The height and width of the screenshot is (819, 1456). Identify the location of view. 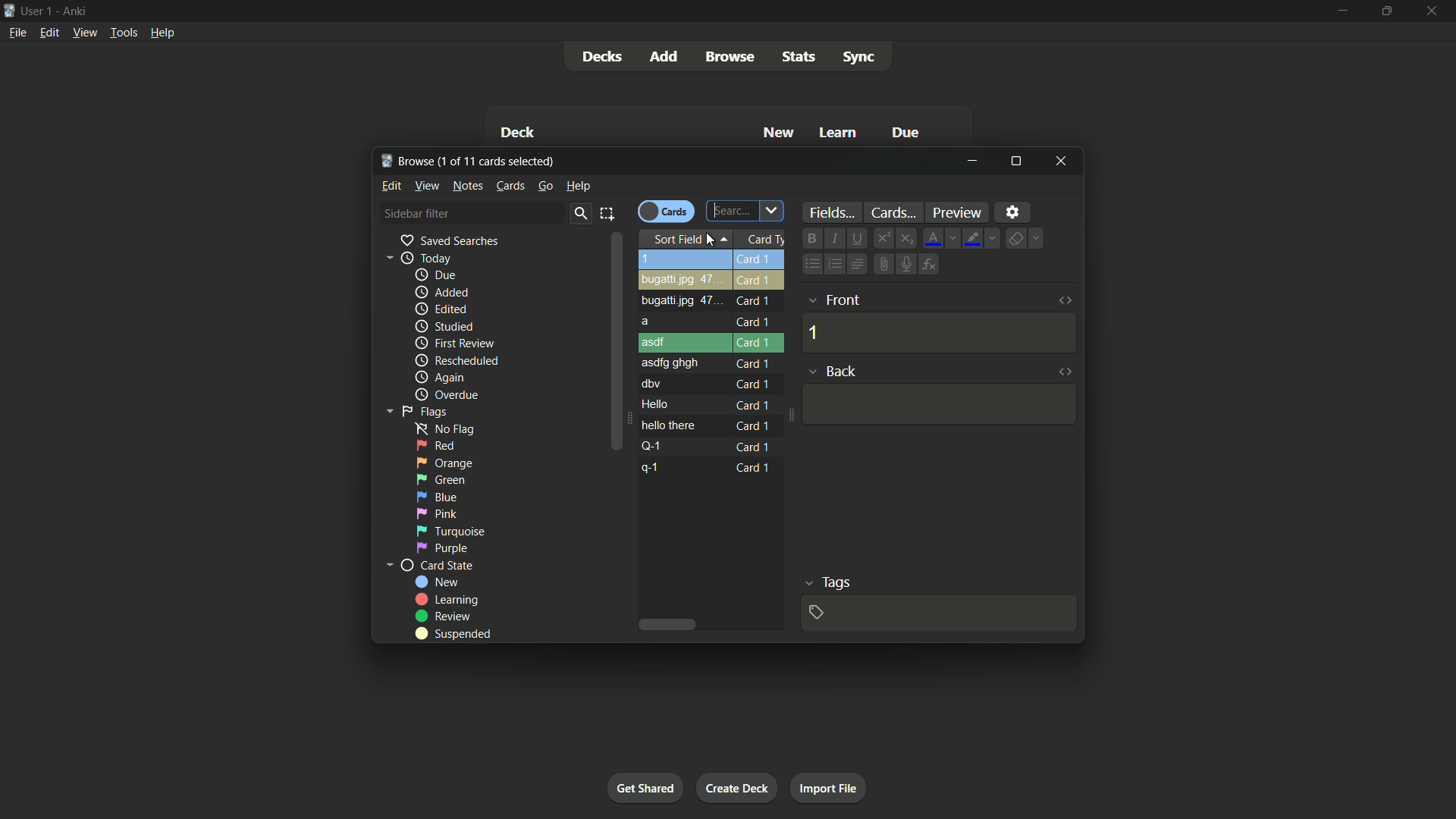
(427, 185).